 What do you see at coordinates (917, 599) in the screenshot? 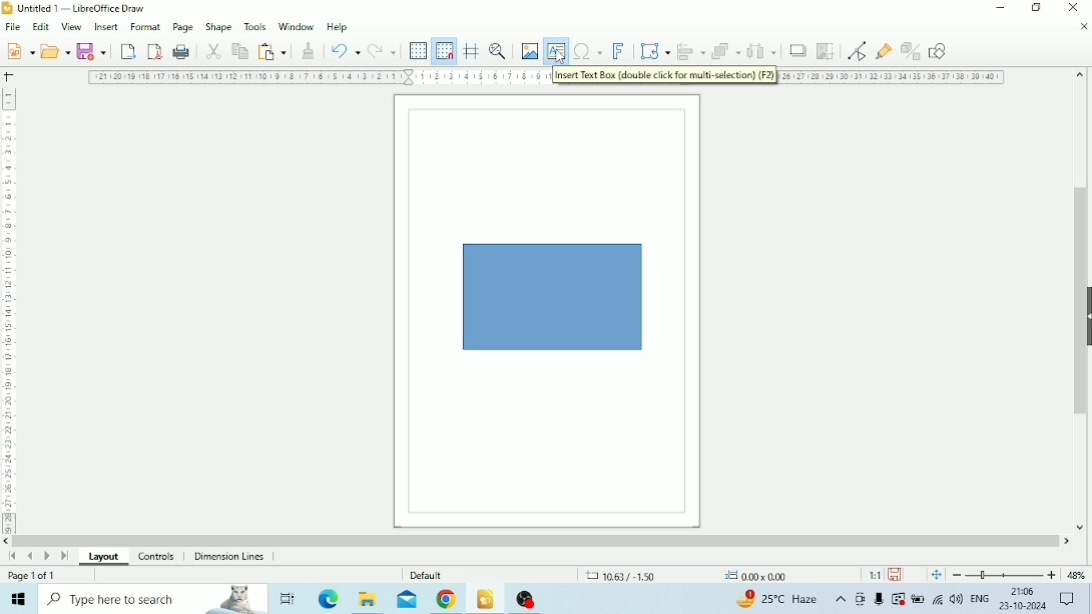
I see `Charging, plugged in` at bounding box center [917, 599].